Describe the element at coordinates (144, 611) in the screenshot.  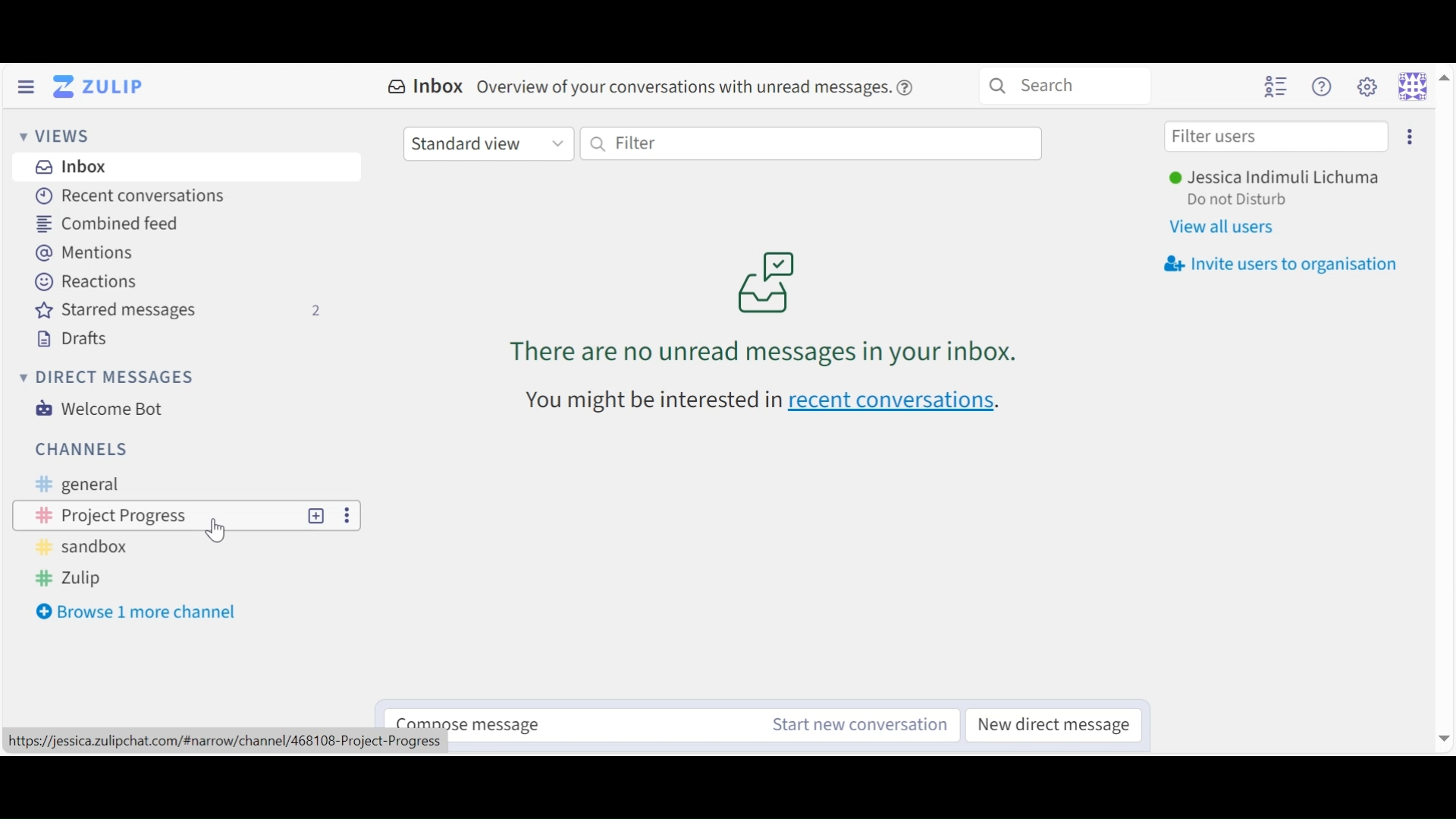
I see `Browse 1 more channel` at that location.